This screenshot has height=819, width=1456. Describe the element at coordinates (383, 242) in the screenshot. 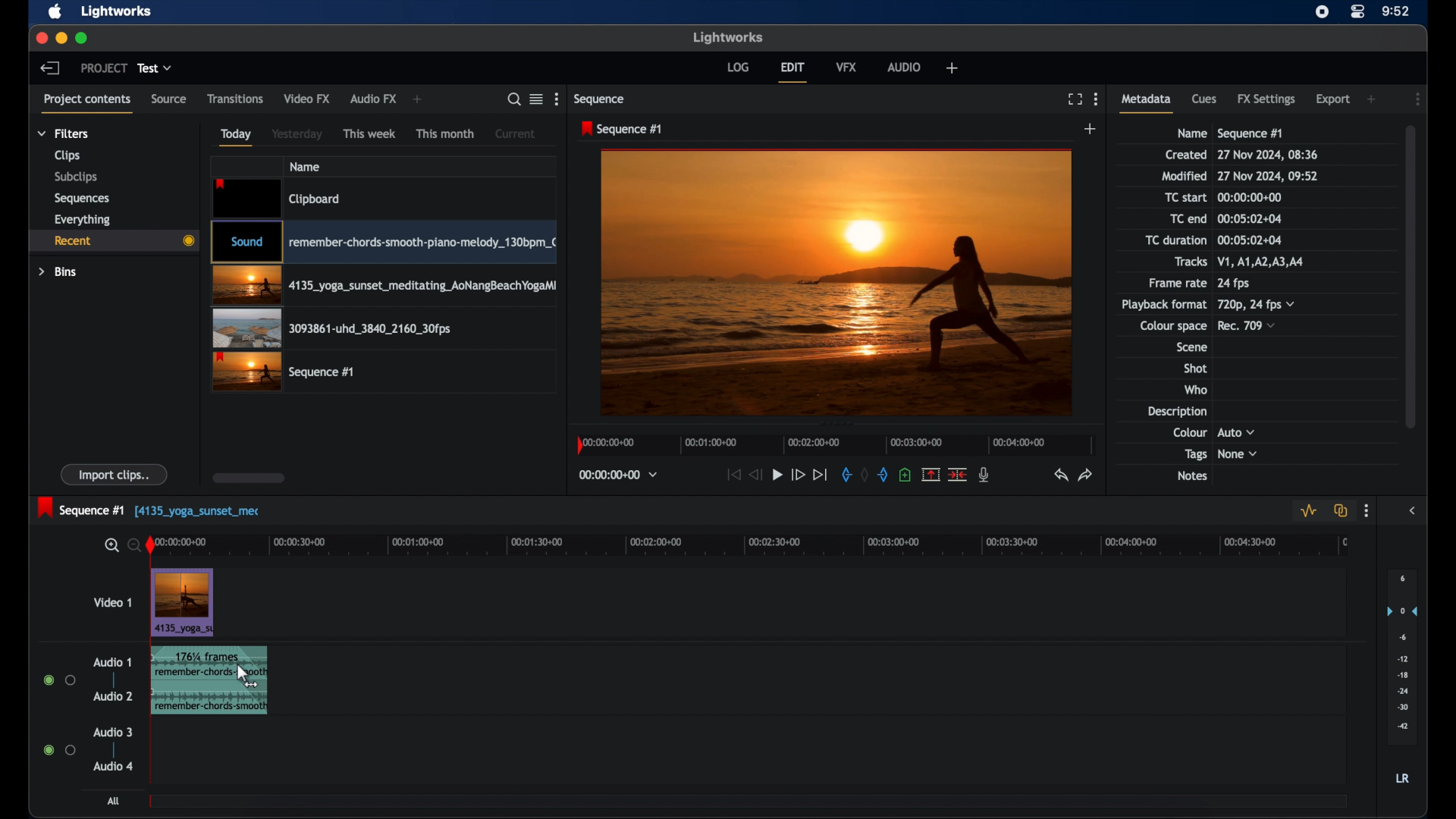

I see `video clip` at that location.